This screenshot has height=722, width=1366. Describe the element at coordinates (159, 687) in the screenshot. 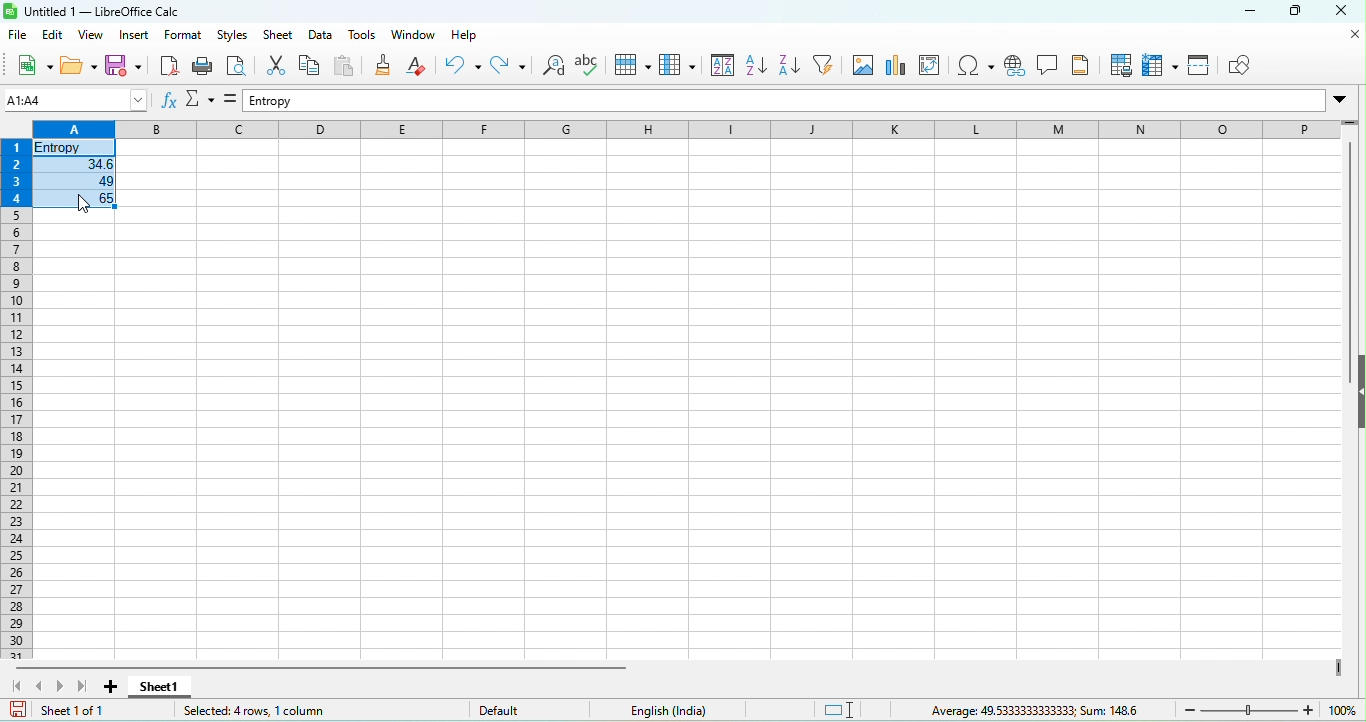

I see `sheet 1` at that location.